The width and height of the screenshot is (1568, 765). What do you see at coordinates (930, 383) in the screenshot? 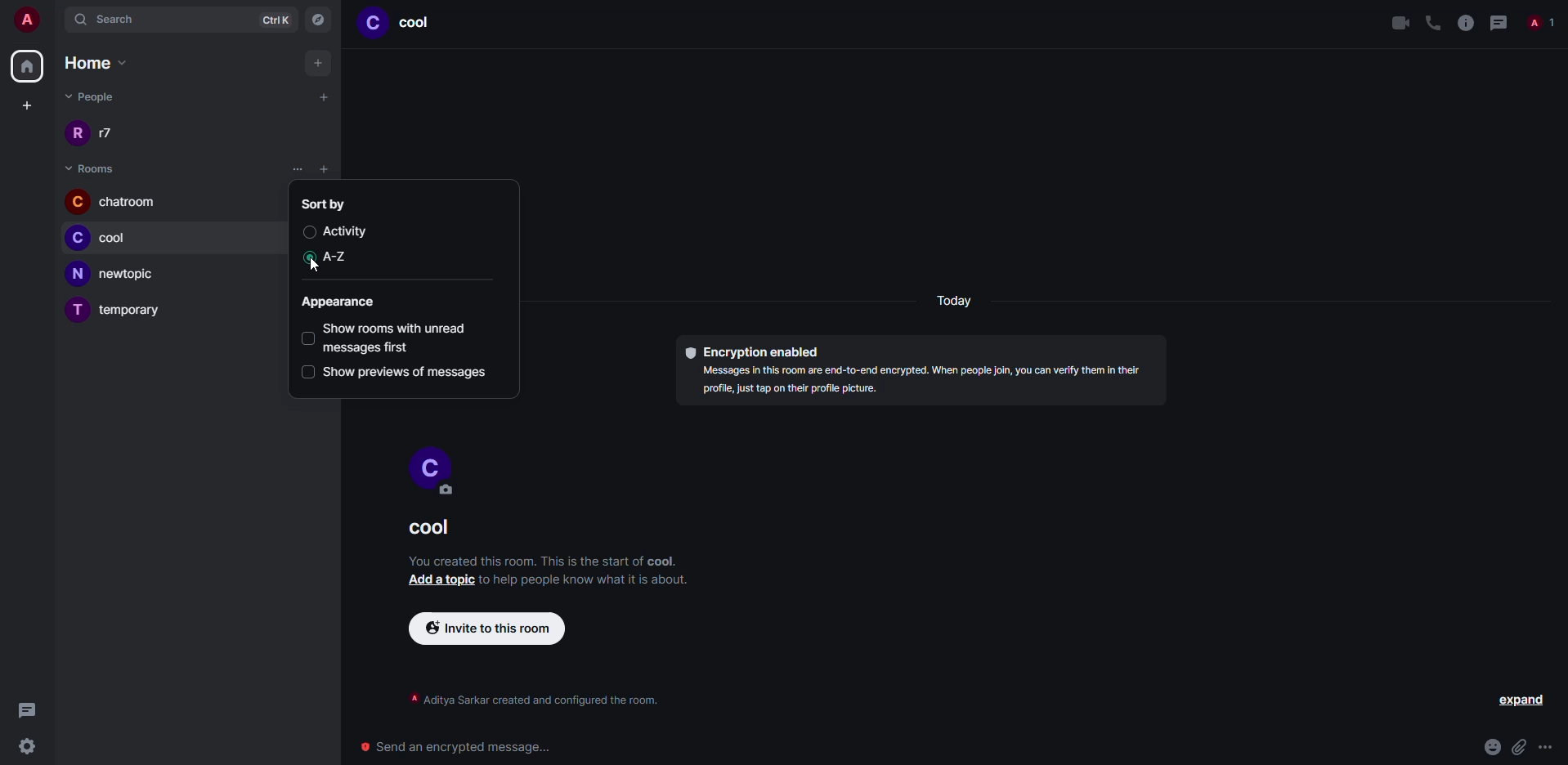
I see `info` at bounding box center [930, 383].